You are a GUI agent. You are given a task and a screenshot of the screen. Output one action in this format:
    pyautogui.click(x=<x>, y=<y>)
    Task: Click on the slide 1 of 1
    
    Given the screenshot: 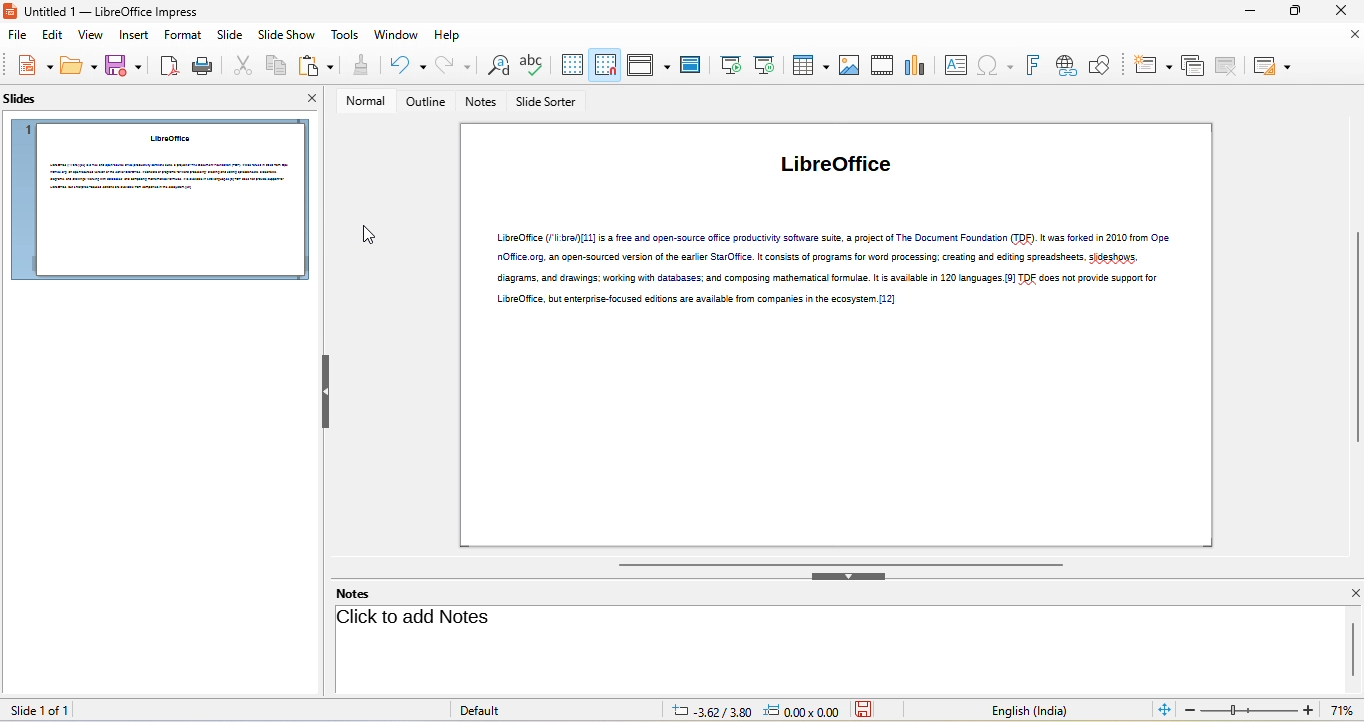 What is the action you would take?
    pyautogui.click(x=54, y=709)
    